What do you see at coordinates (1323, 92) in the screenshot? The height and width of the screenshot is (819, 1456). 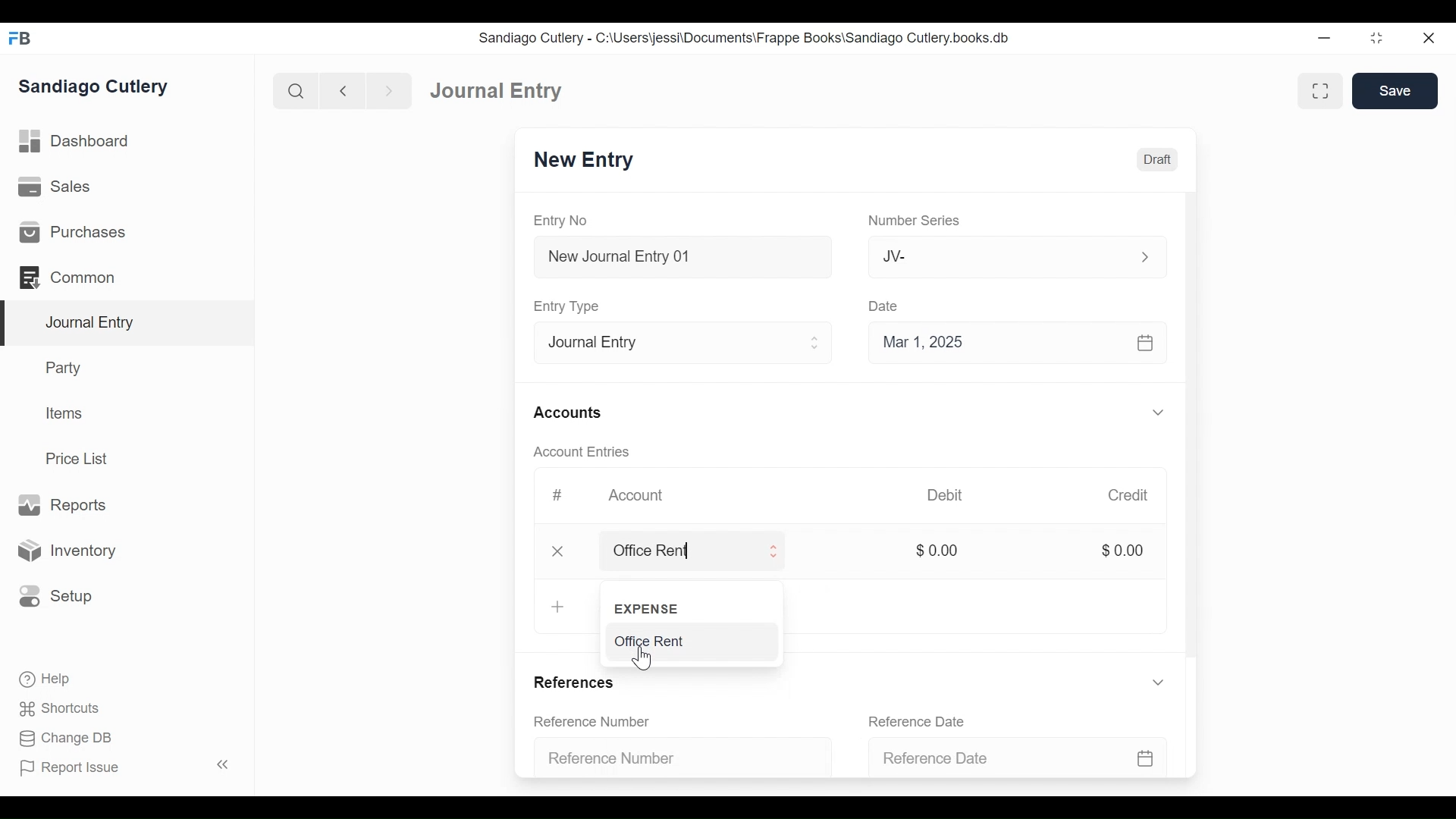 I see `toggle between form and full width` at bounding box center [1323, 92].